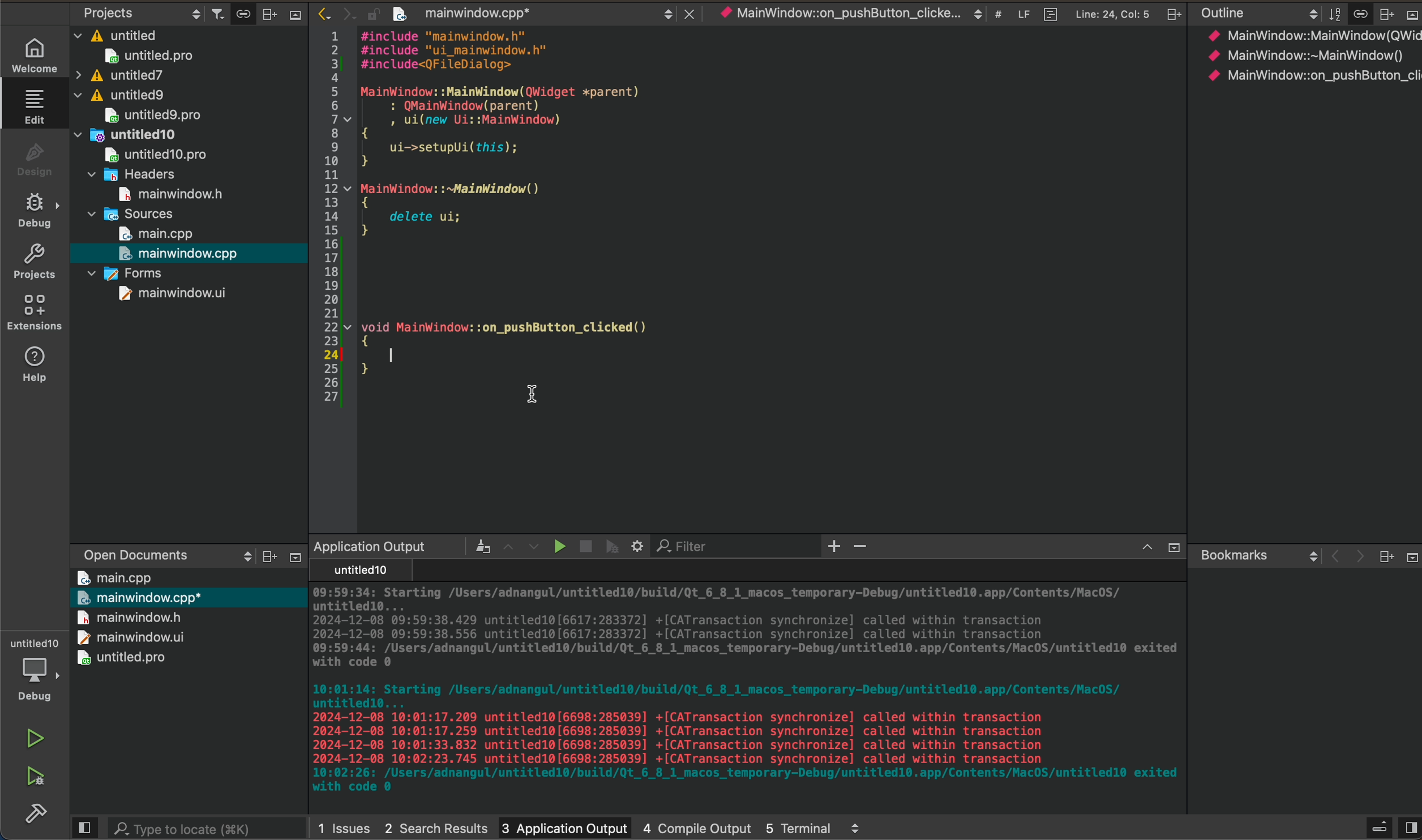 The width and height of the screenshot is (1422, 840). I want to click on untitled10, so click(357, 571).